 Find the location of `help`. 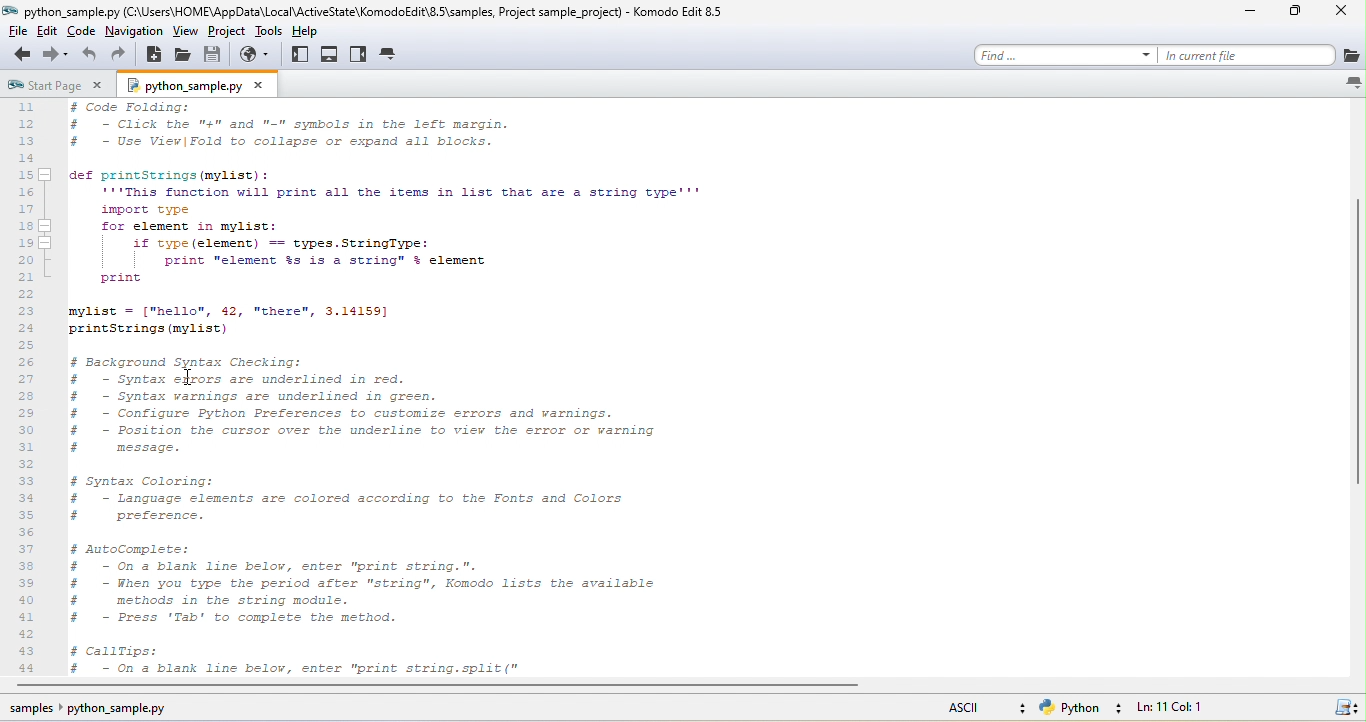

help is located at coordinates (309, 32).